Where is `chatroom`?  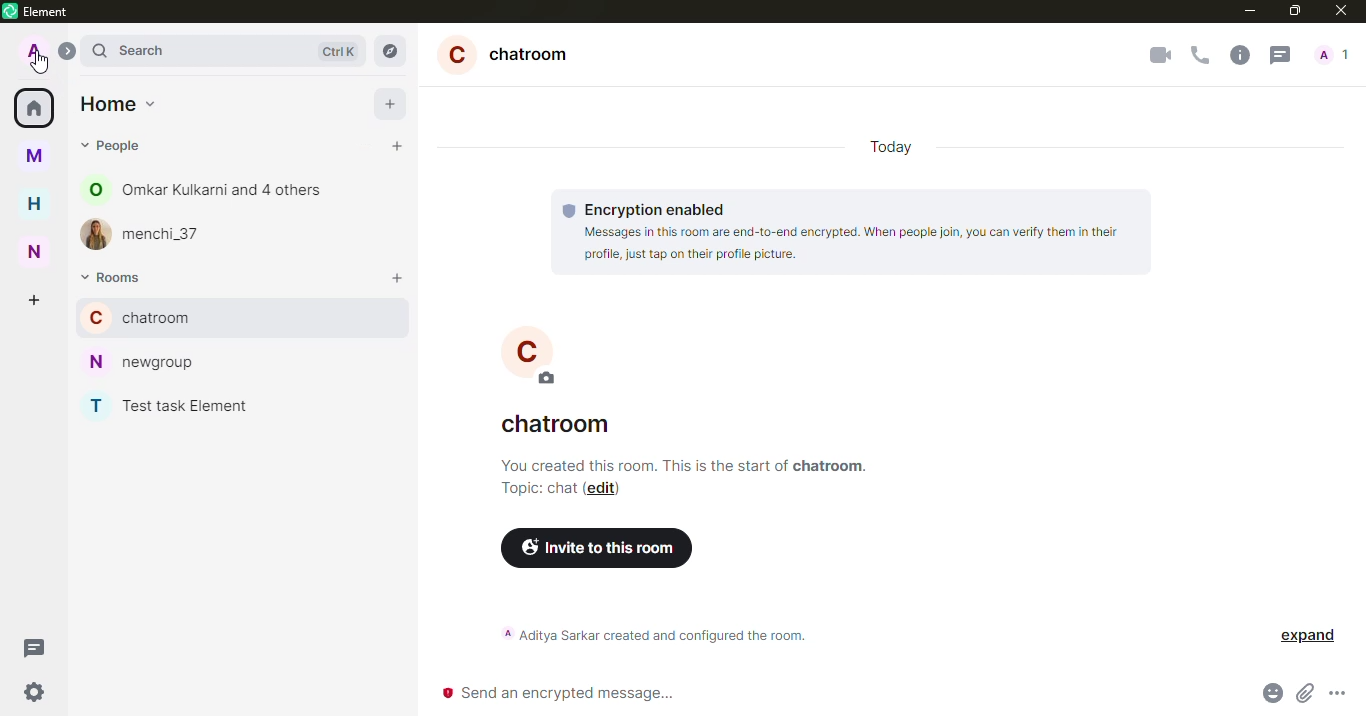 chatroom is located at coordinates (511, 50).